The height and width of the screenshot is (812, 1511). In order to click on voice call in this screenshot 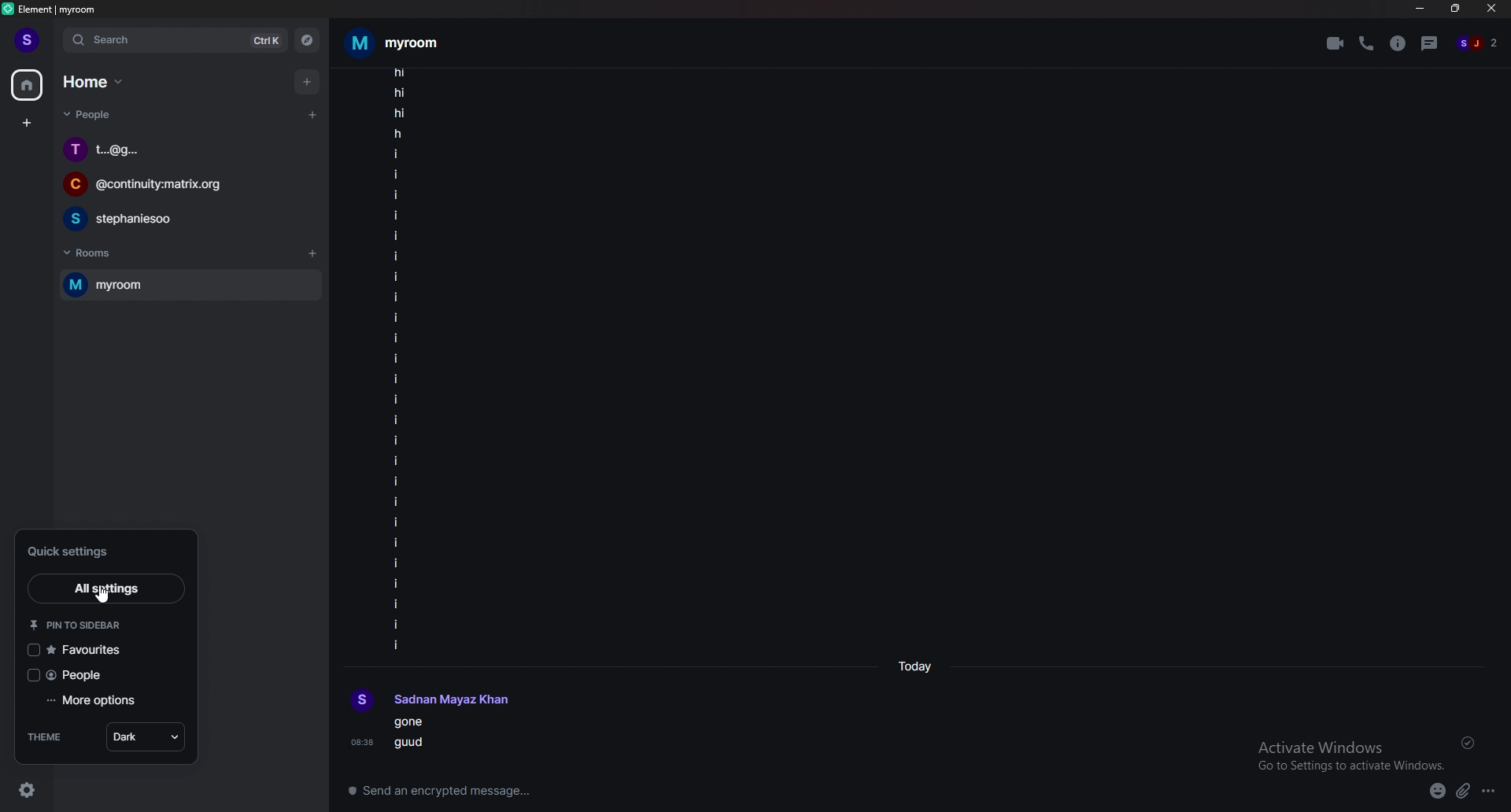, I will do `click(1366, 44)`.